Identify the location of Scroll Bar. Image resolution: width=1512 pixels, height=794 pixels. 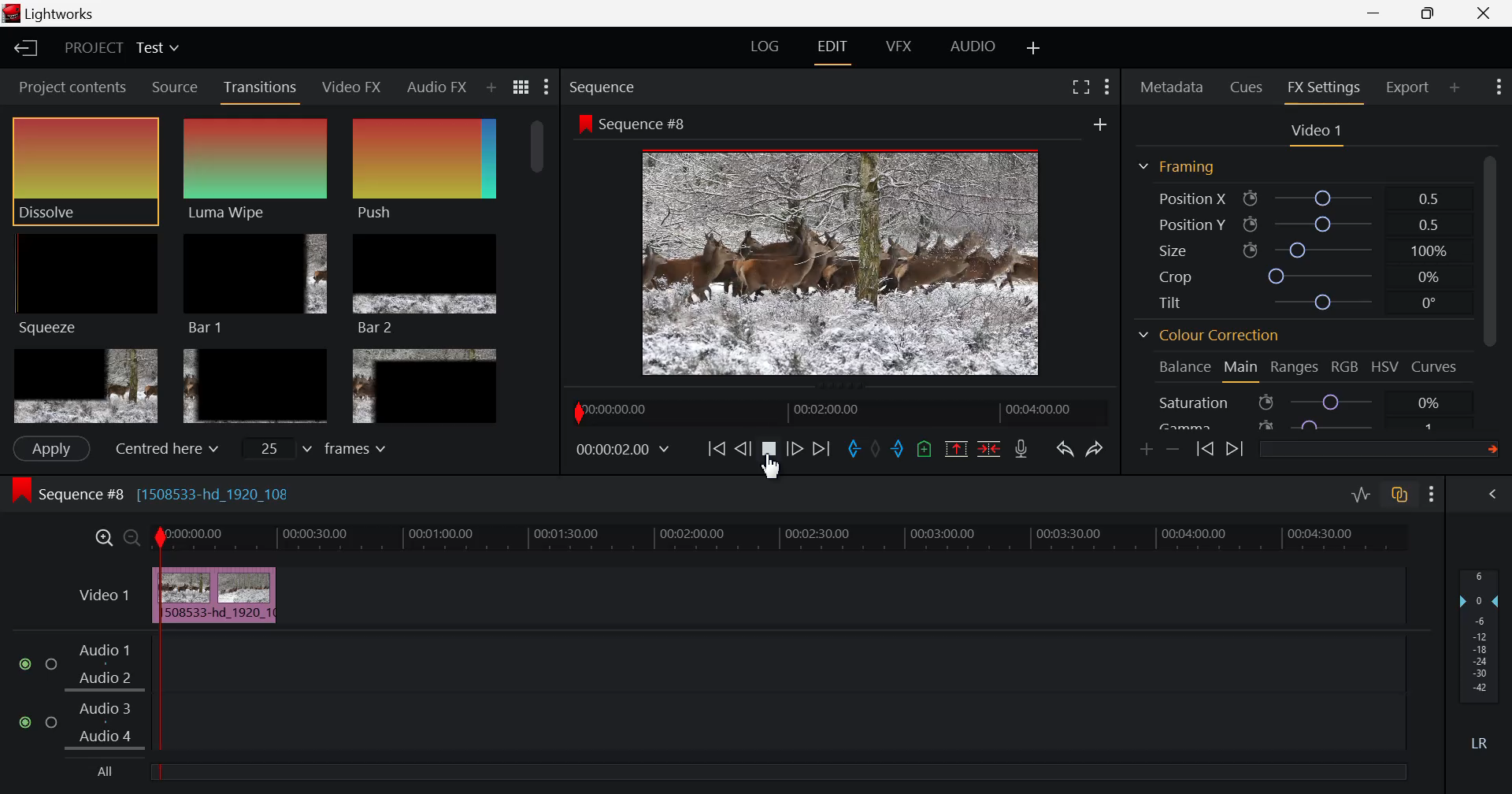
(539, 270).